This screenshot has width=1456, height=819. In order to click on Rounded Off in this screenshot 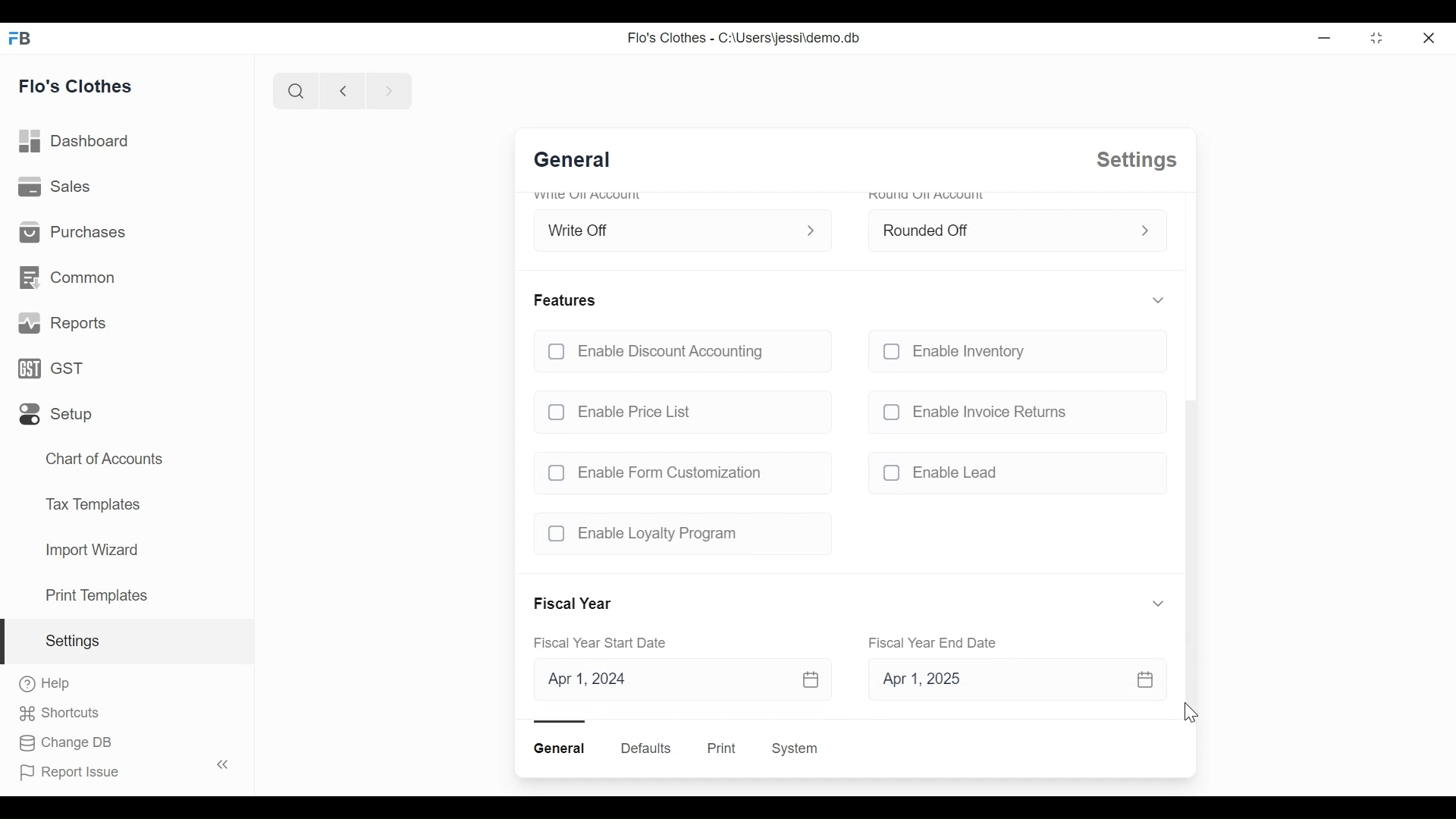, I will do `click(999, 228)`.